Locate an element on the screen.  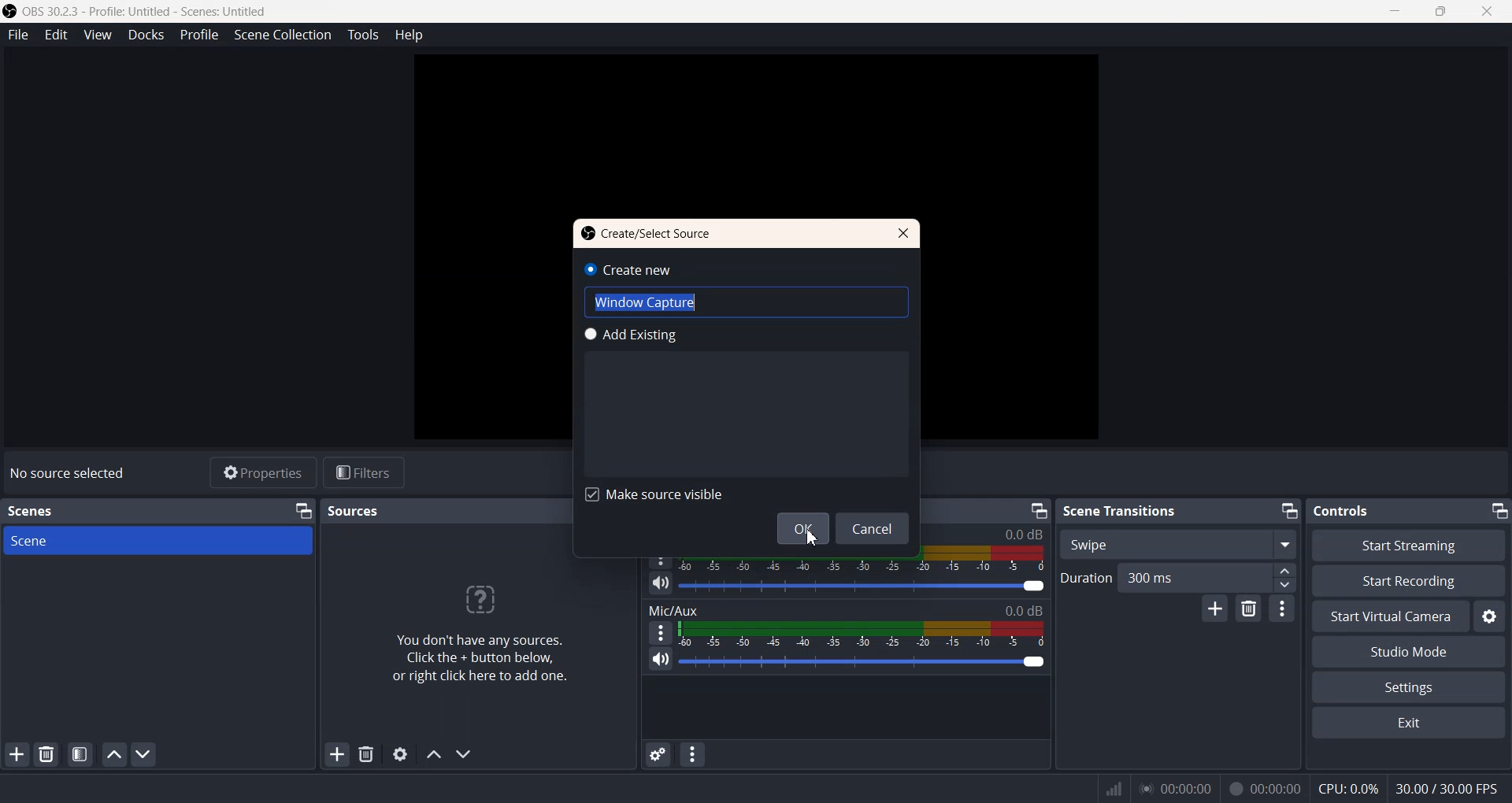
Add Existing is located at coordinates (631, 335).